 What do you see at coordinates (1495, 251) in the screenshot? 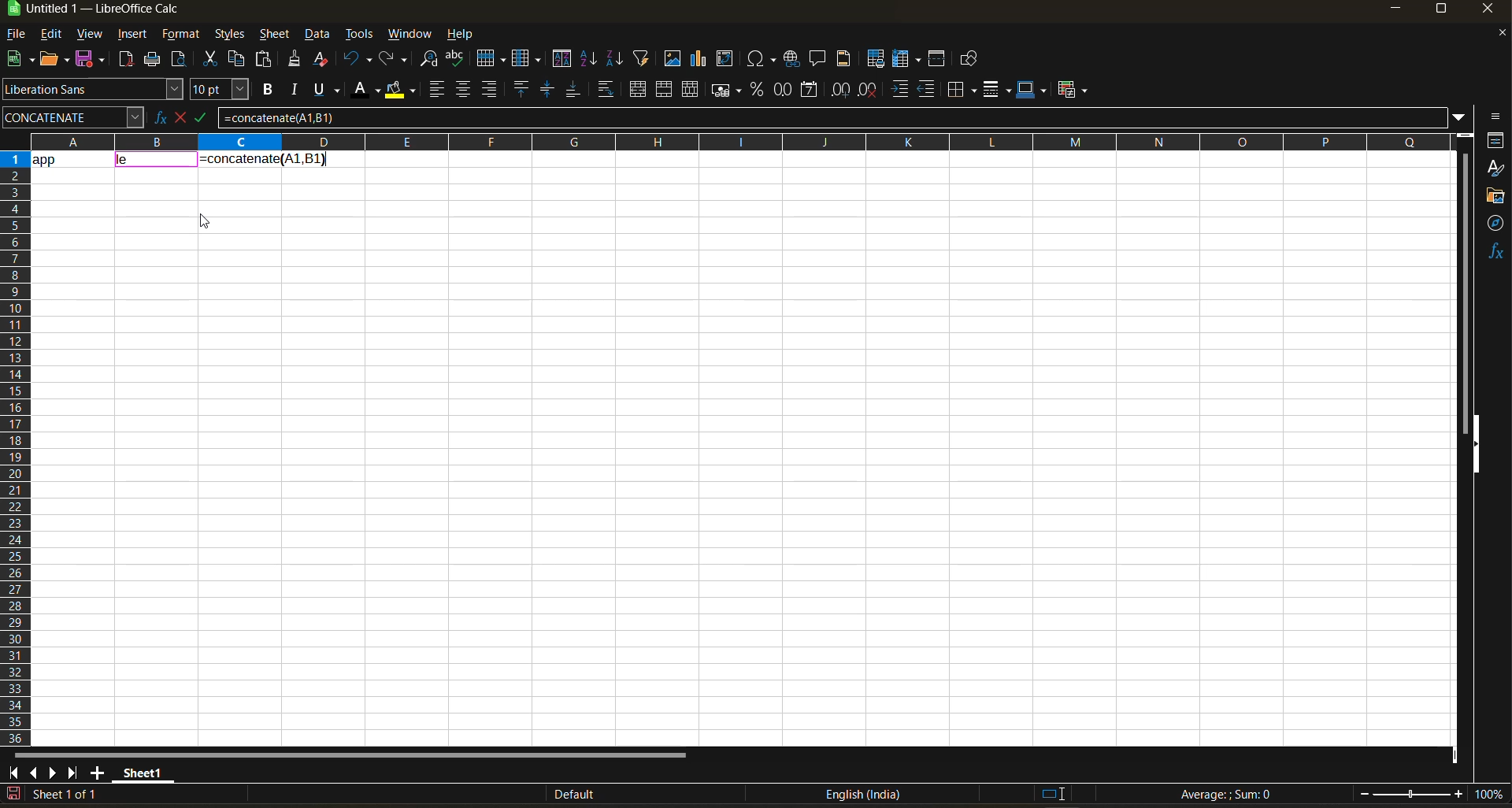
I see `functions` at bounding box center [1495, 251].